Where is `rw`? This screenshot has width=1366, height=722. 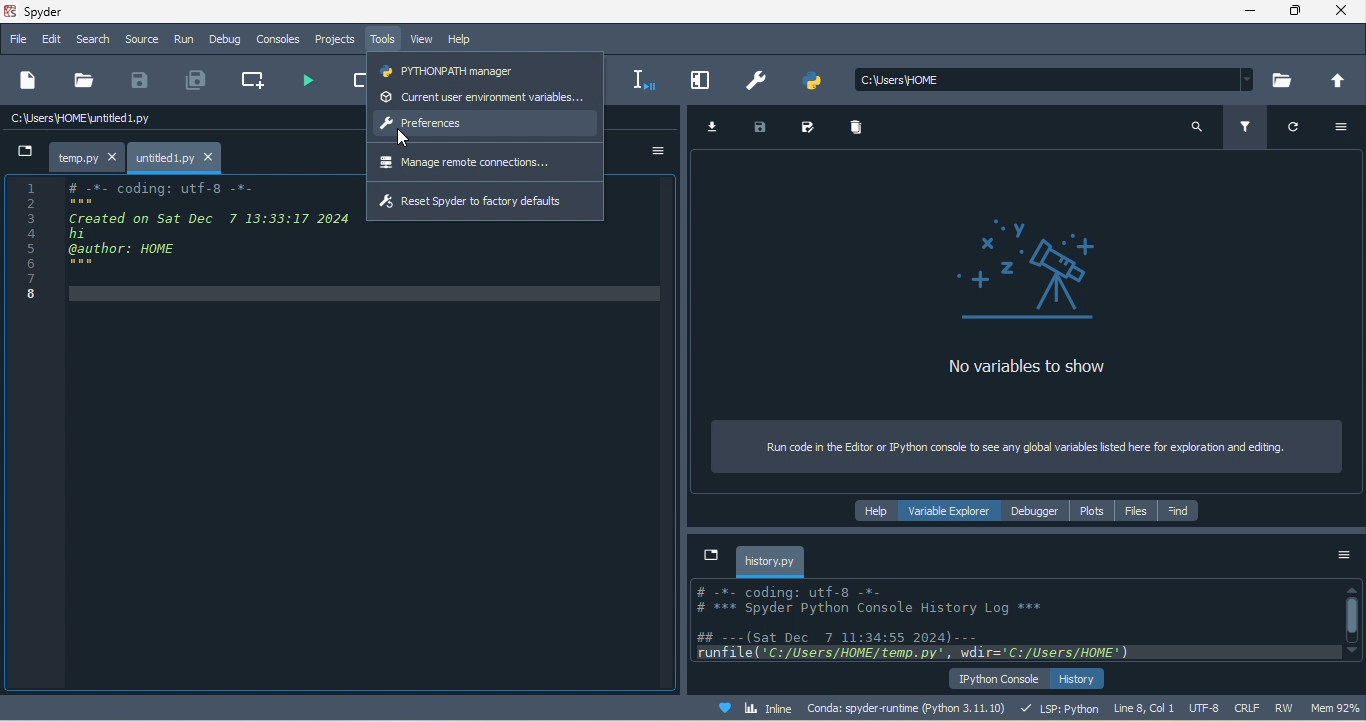
rw is located at coordinates (1286, 707).